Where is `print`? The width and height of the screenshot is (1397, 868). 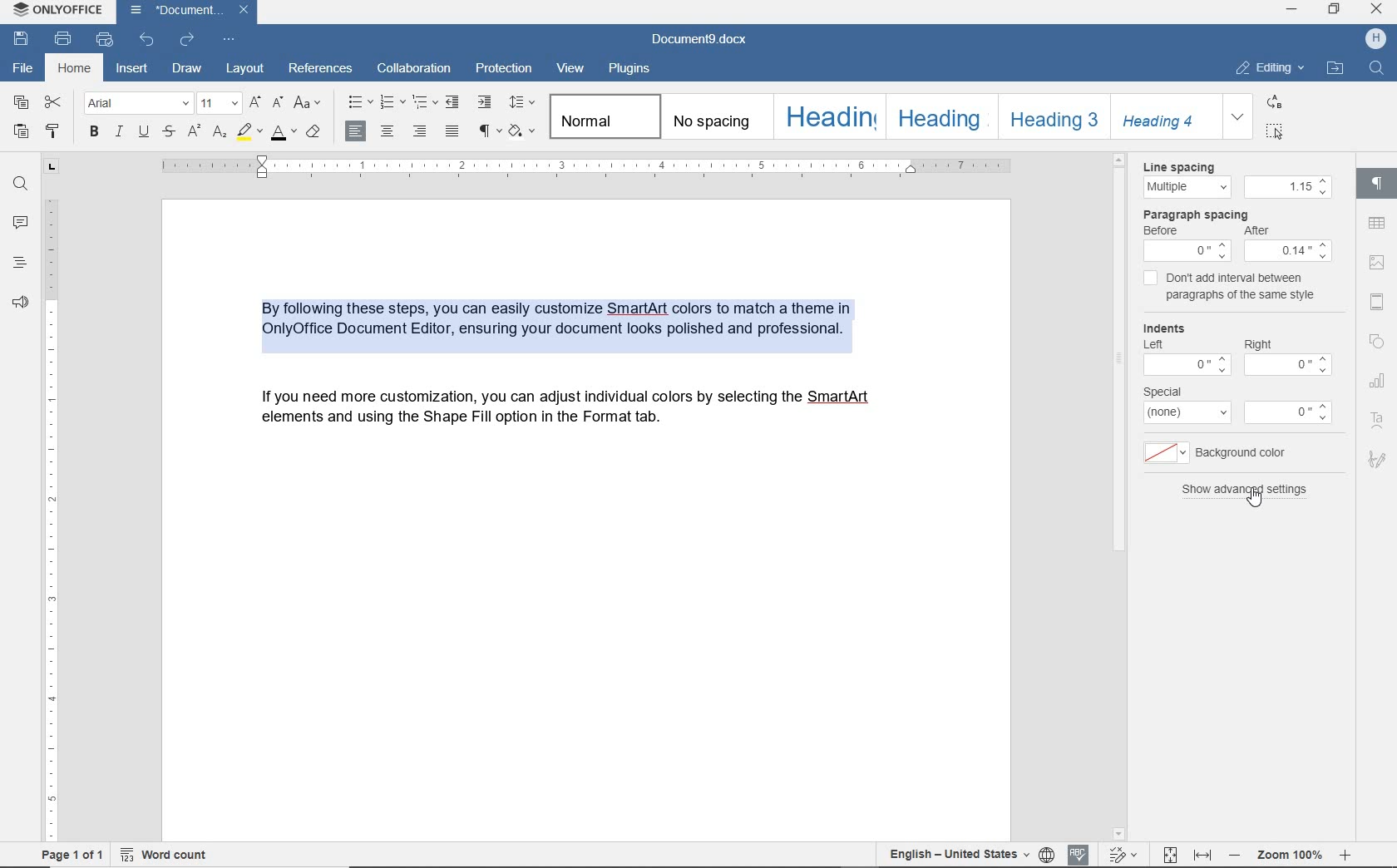
print is located at coordinates (63, 37).